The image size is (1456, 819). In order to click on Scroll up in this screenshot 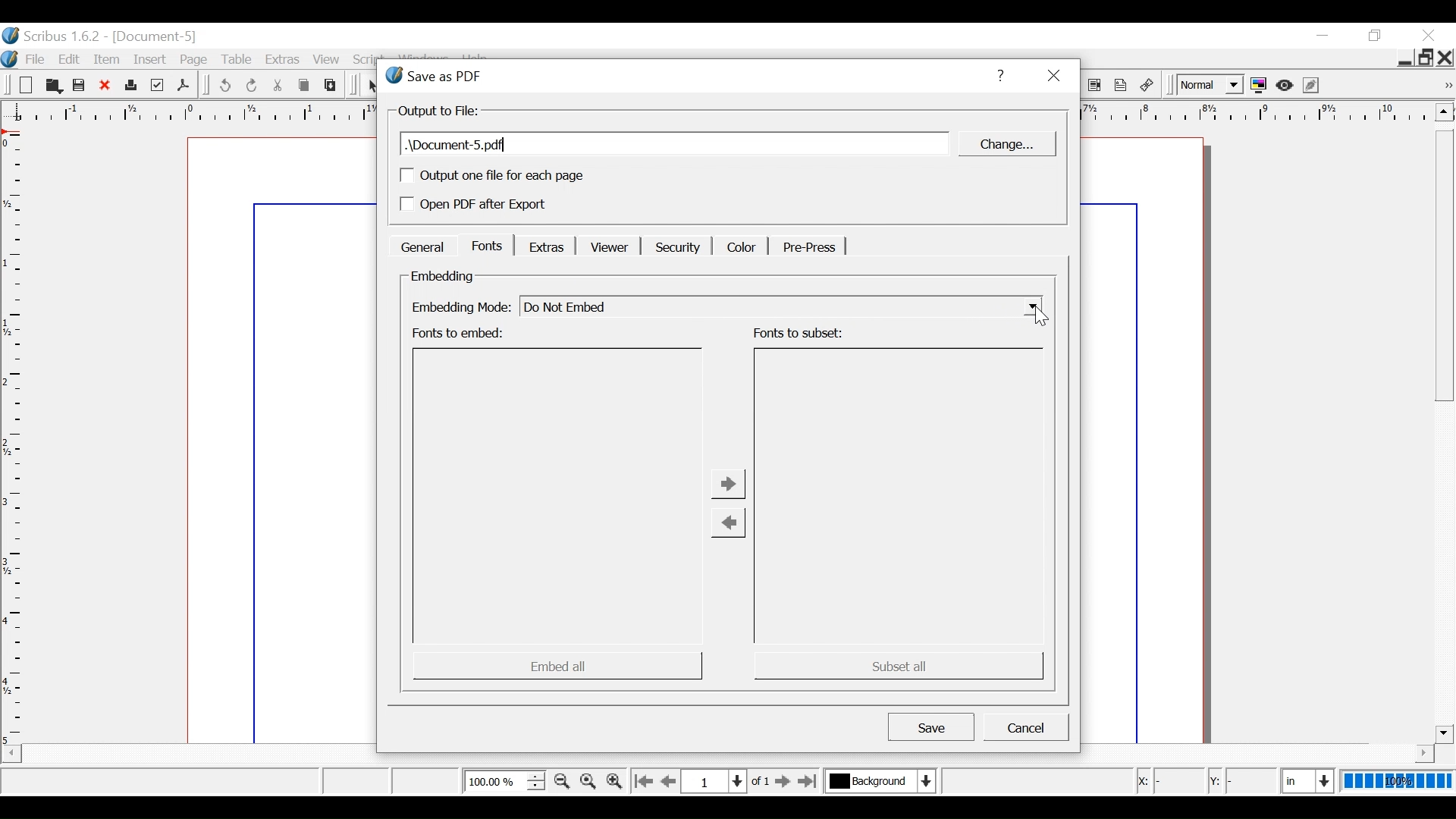, I will do `click(1444, 111)`.